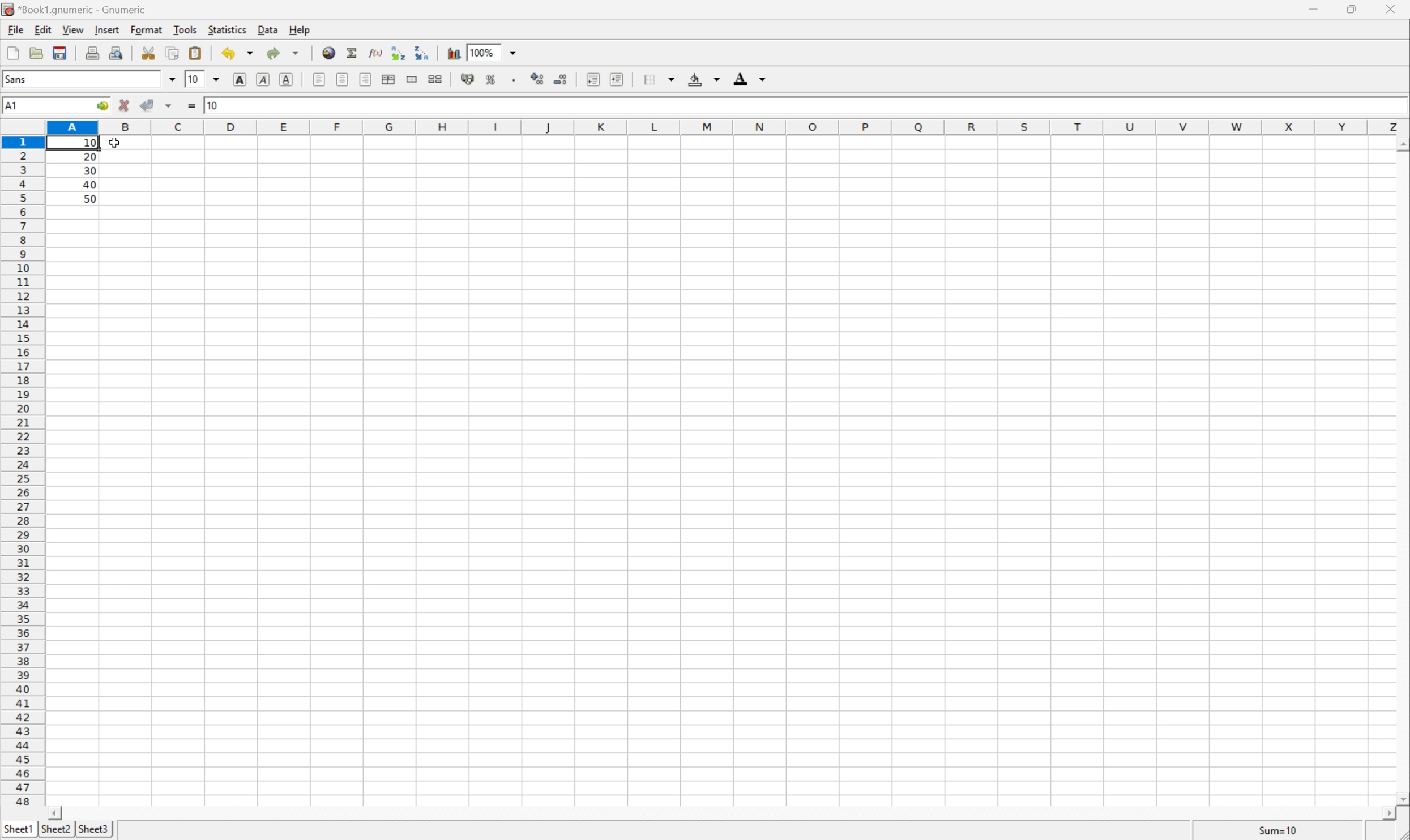 Image resolution: width=1410 pixels, height=840 pixels. Describe the element at coordinates (343, 78) in the screenshot. I see `Center Horizontally` at that location.